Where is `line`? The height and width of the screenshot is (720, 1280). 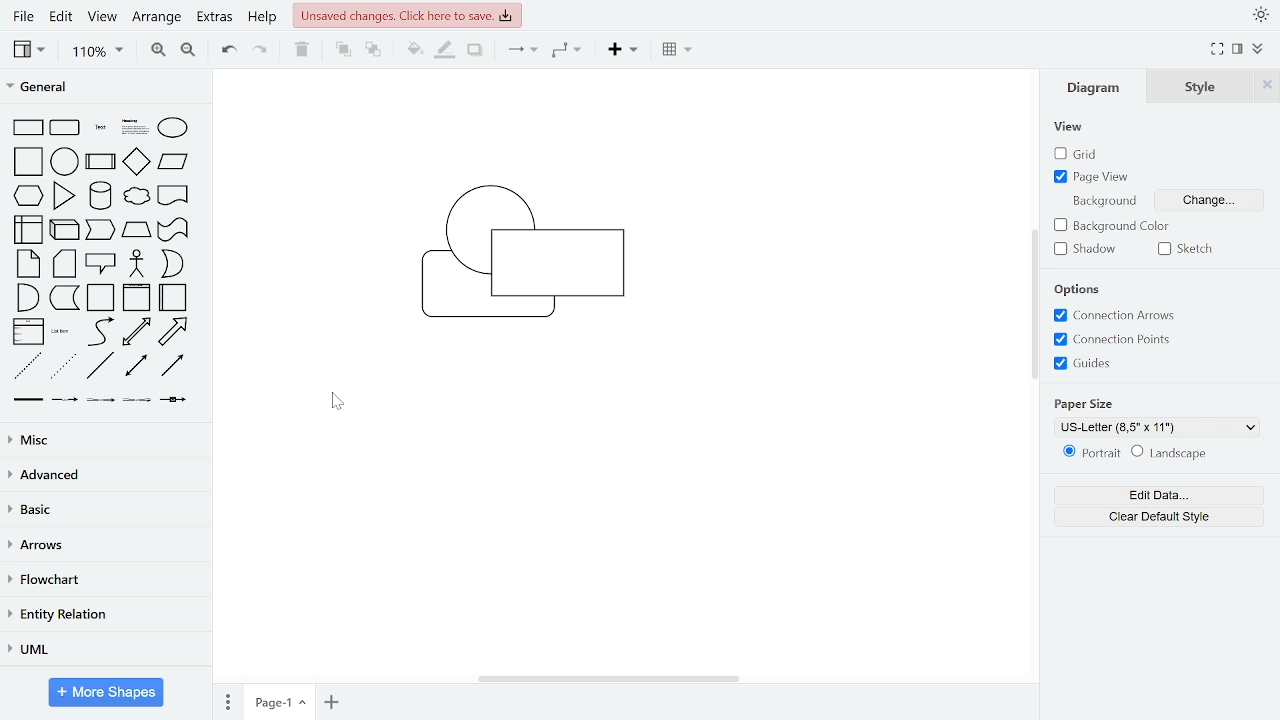 line is located at coordinates (102, 366).